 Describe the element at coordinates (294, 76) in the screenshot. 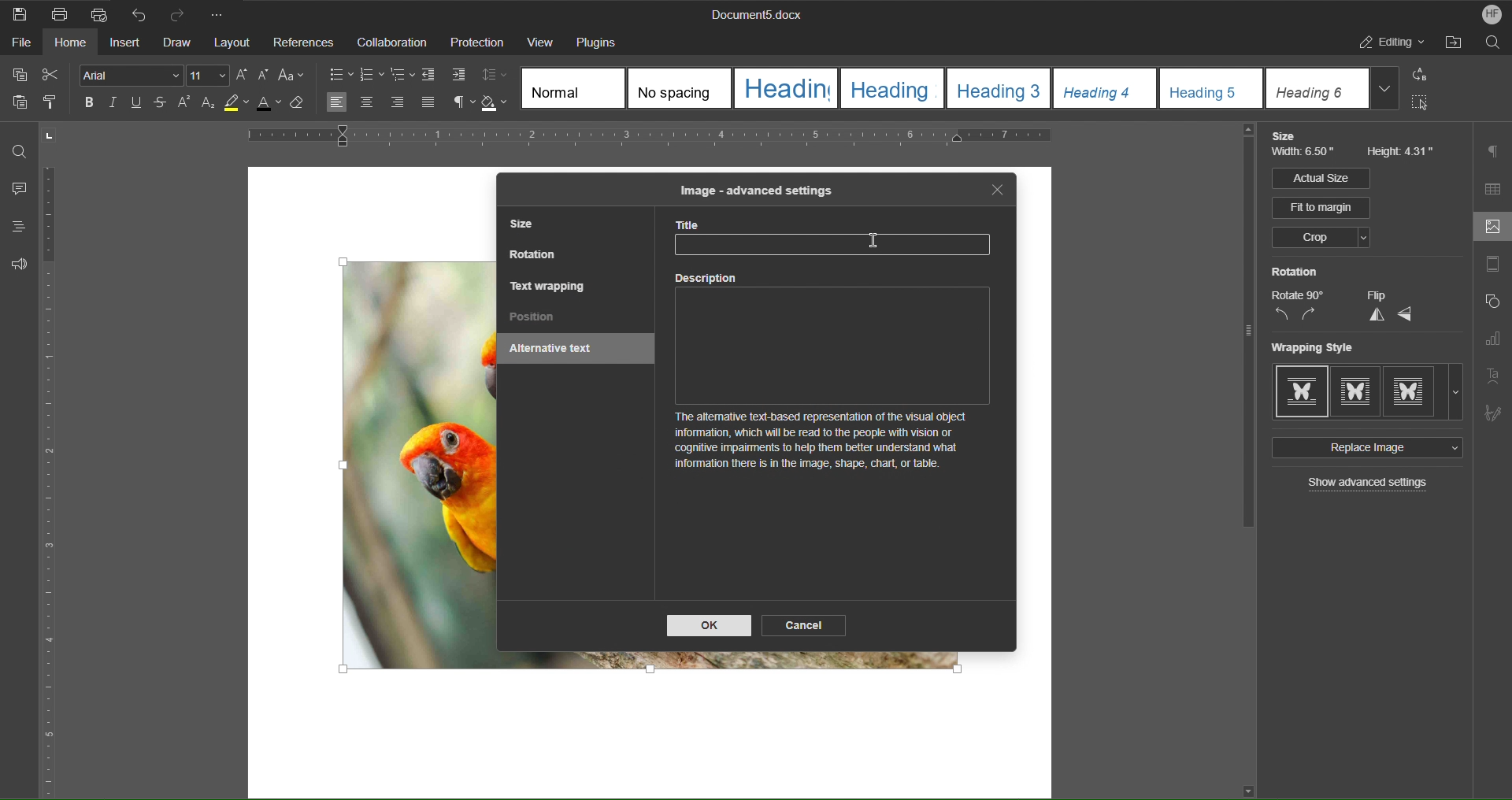

I see `Text Case` at that location.